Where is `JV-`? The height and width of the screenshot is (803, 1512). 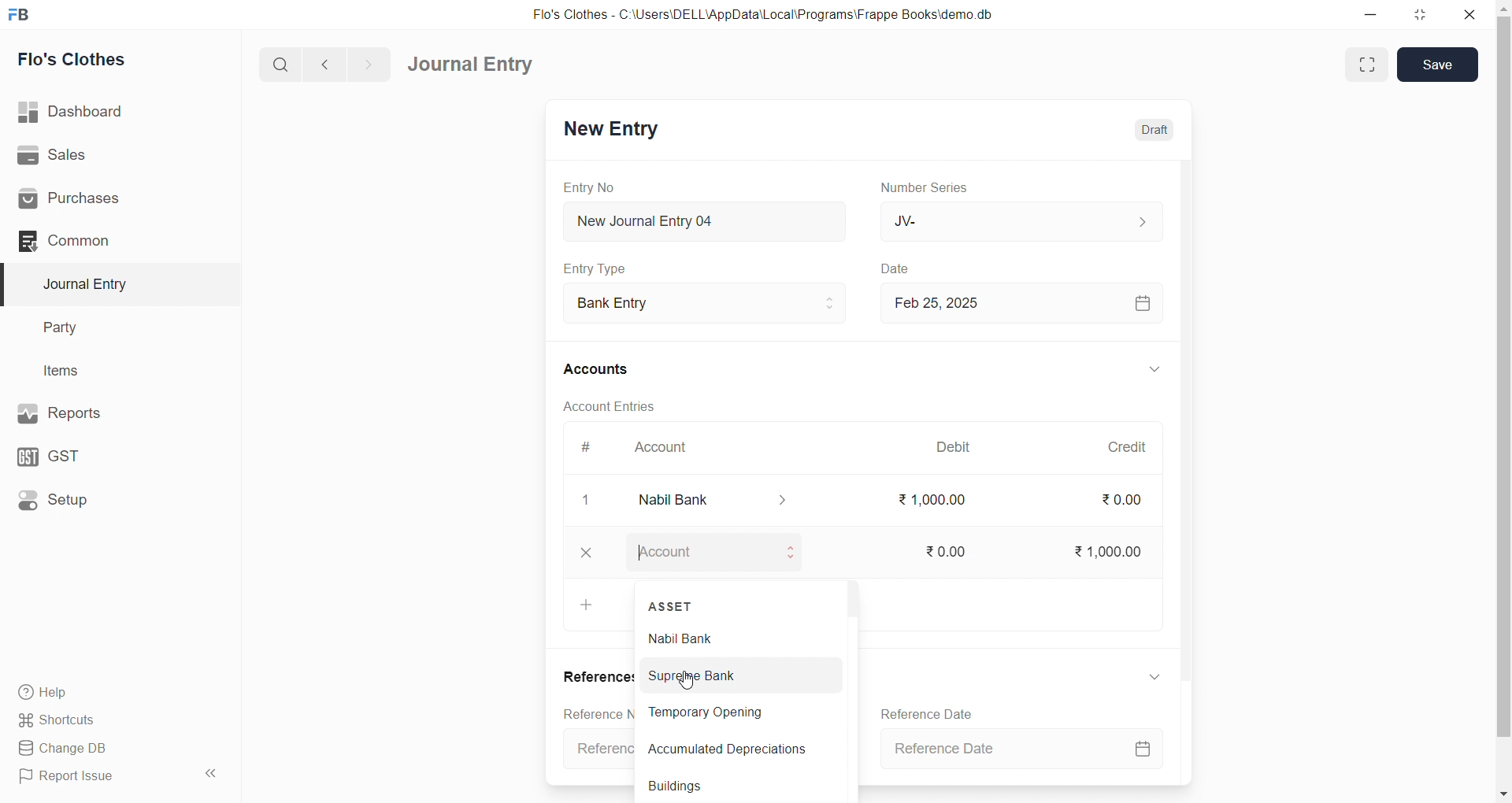
JV- is located at coordinates (1027, 220).